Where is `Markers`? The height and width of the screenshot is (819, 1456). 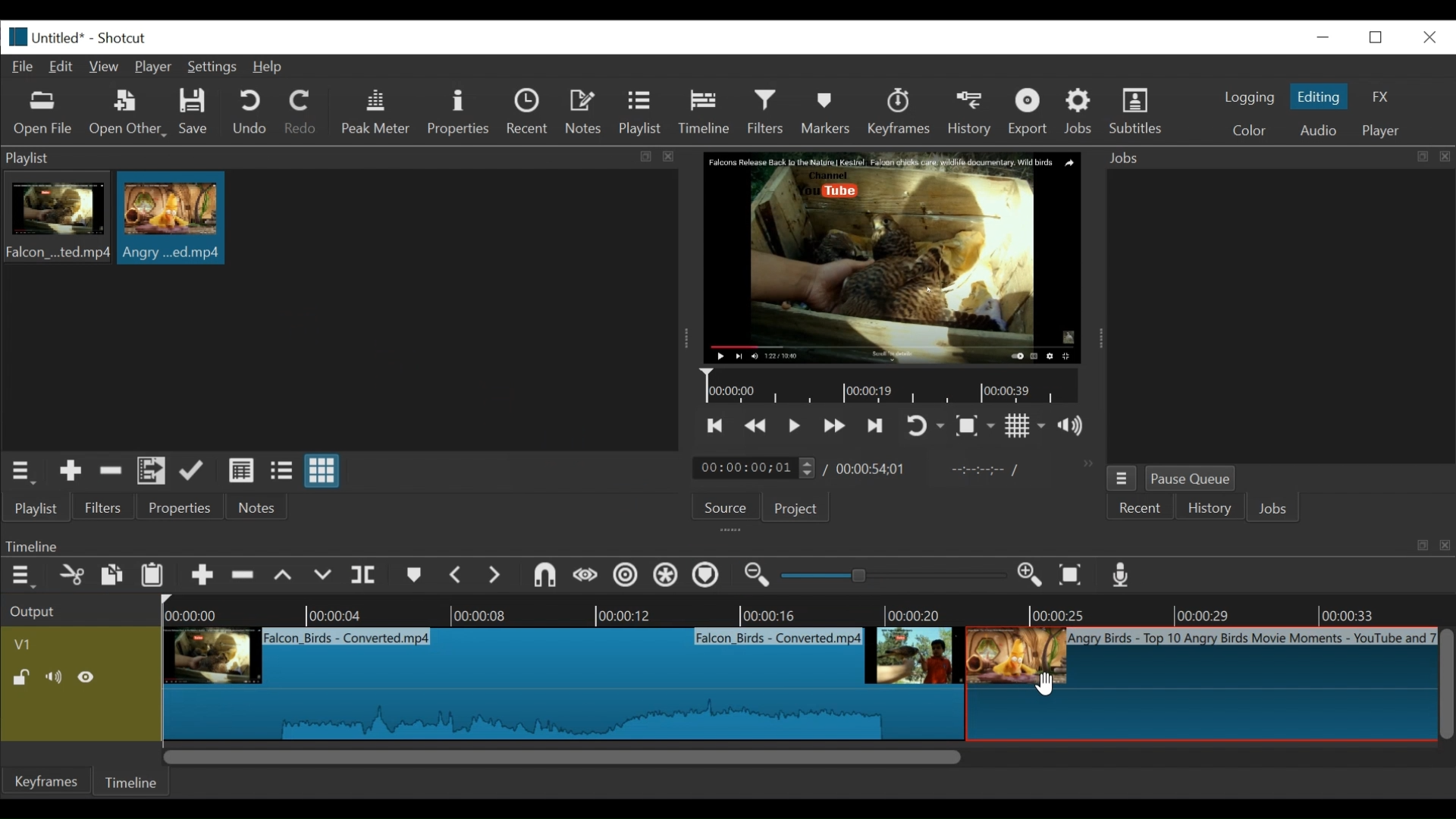 Markers is located at coordinates (829, 111).